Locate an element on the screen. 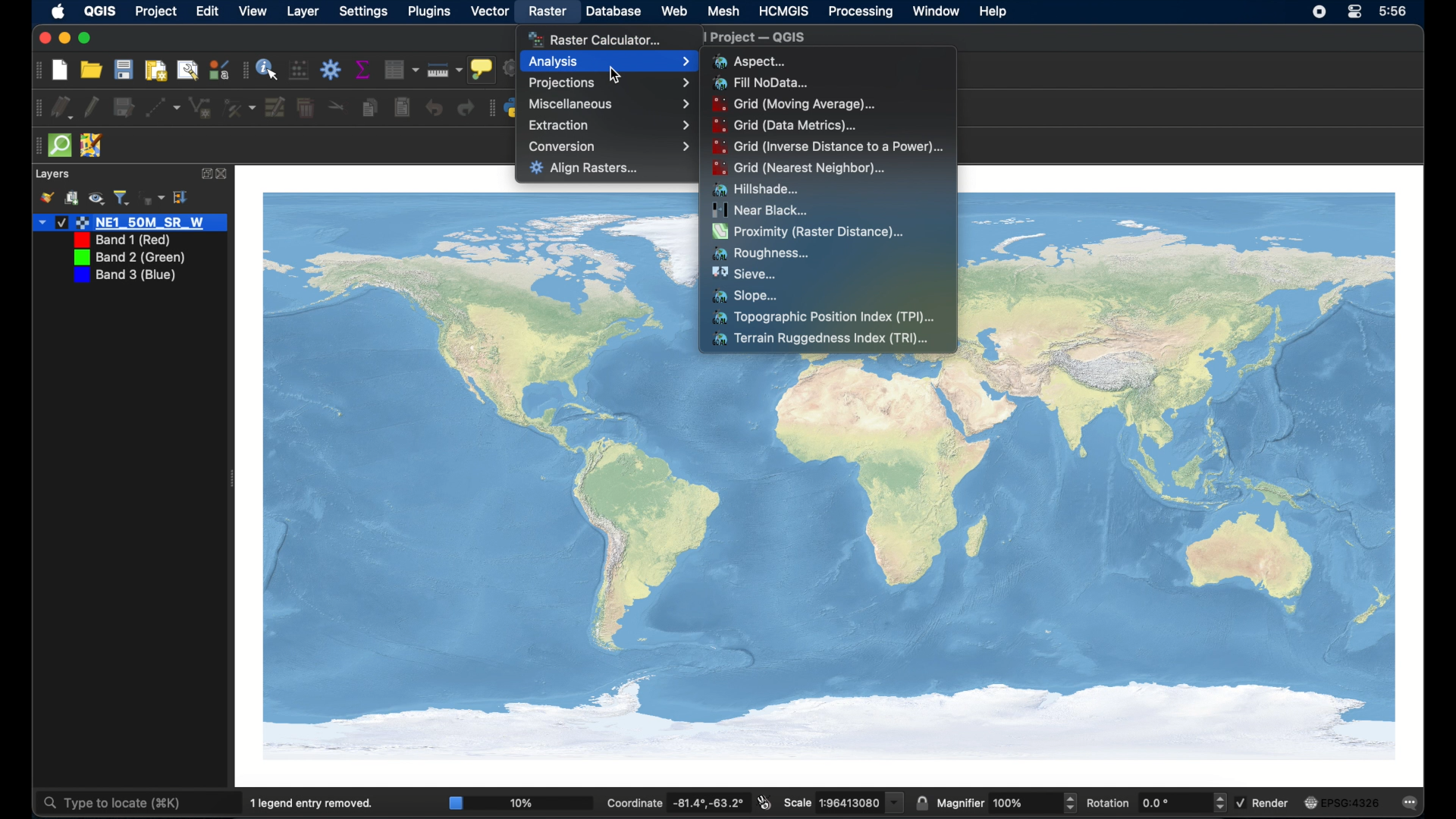 The width and height of the screenshot is (1456, 819). modify attributes is located at coordinates (275, 108).